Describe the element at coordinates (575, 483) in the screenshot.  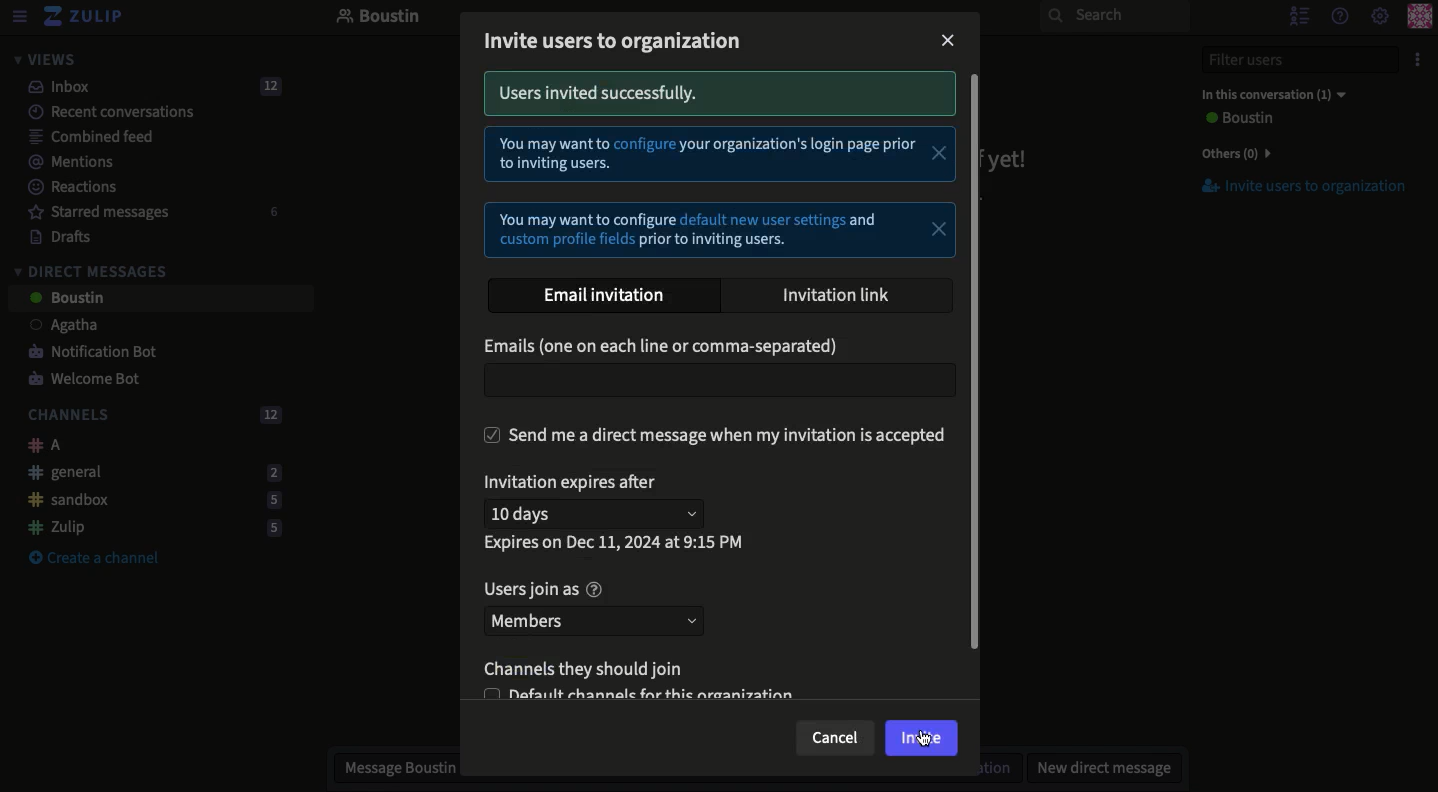
I see `Invitation expires after` at that location.